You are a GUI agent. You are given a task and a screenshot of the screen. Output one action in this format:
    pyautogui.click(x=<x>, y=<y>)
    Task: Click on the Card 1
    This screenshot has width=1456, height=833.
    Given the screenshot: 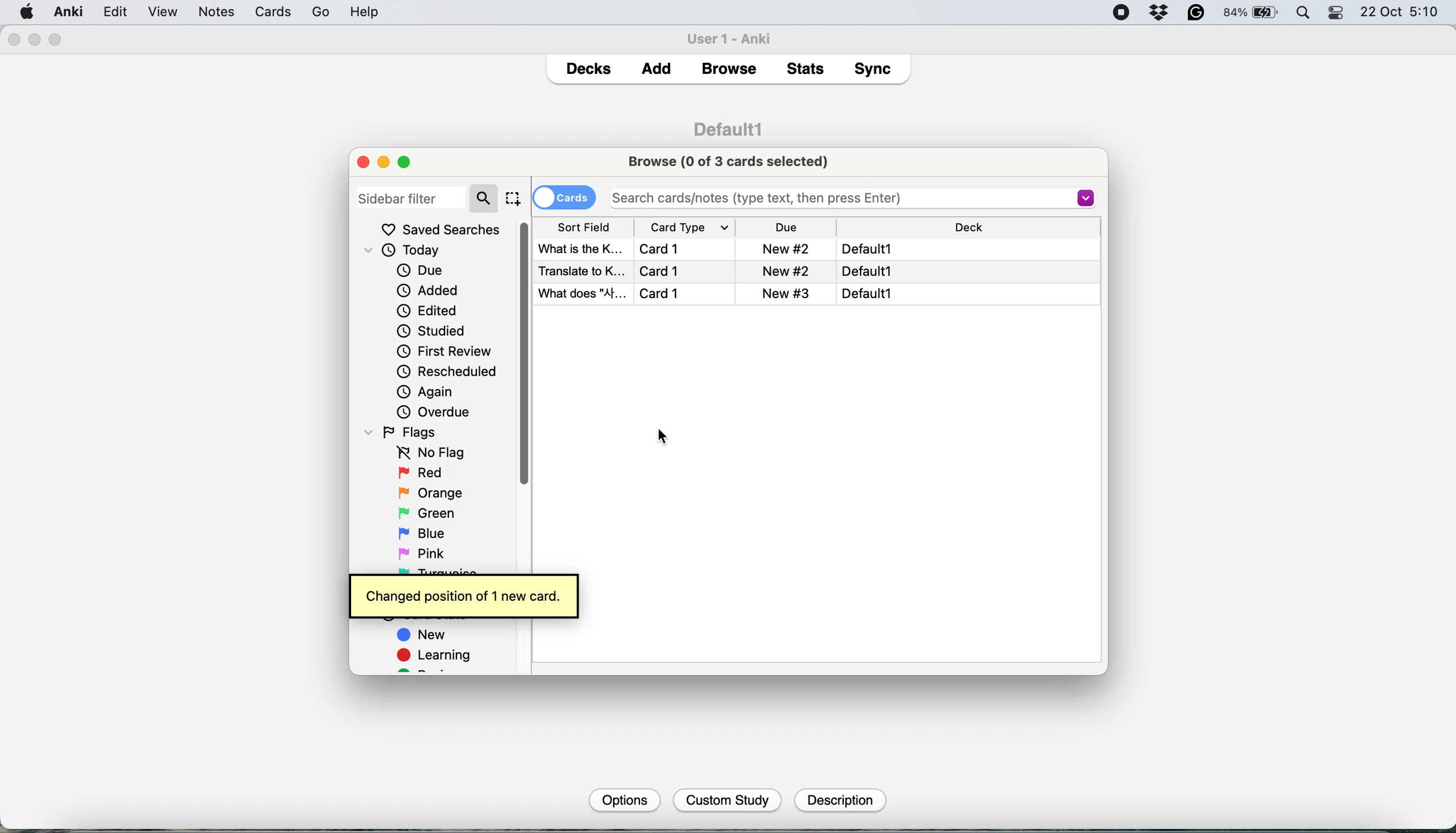 What is the action you would take?
    pyautogui.click(x=665, y=248)
    